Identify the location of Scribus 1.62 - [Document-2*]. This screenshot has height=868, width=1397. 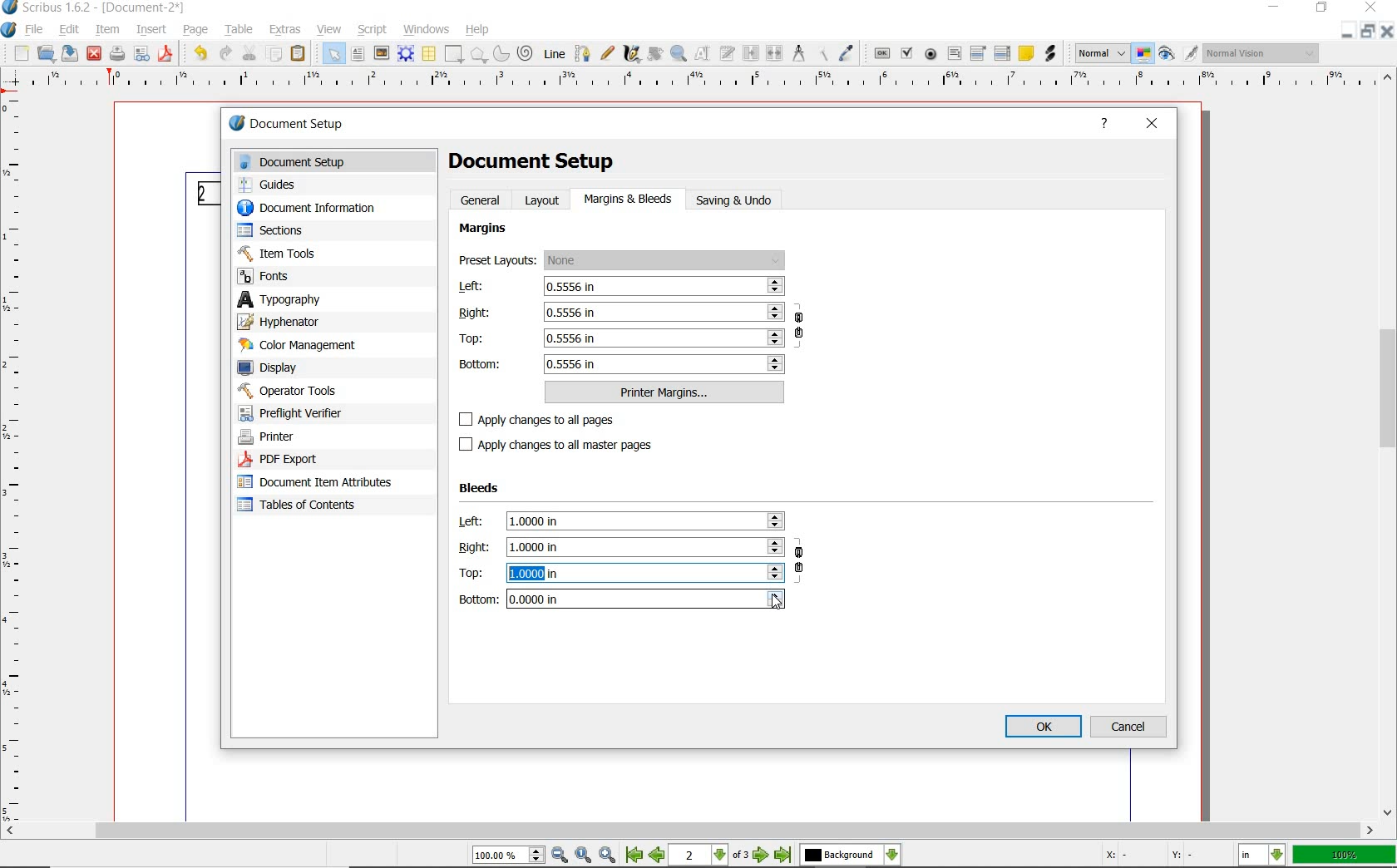
(96, 7).